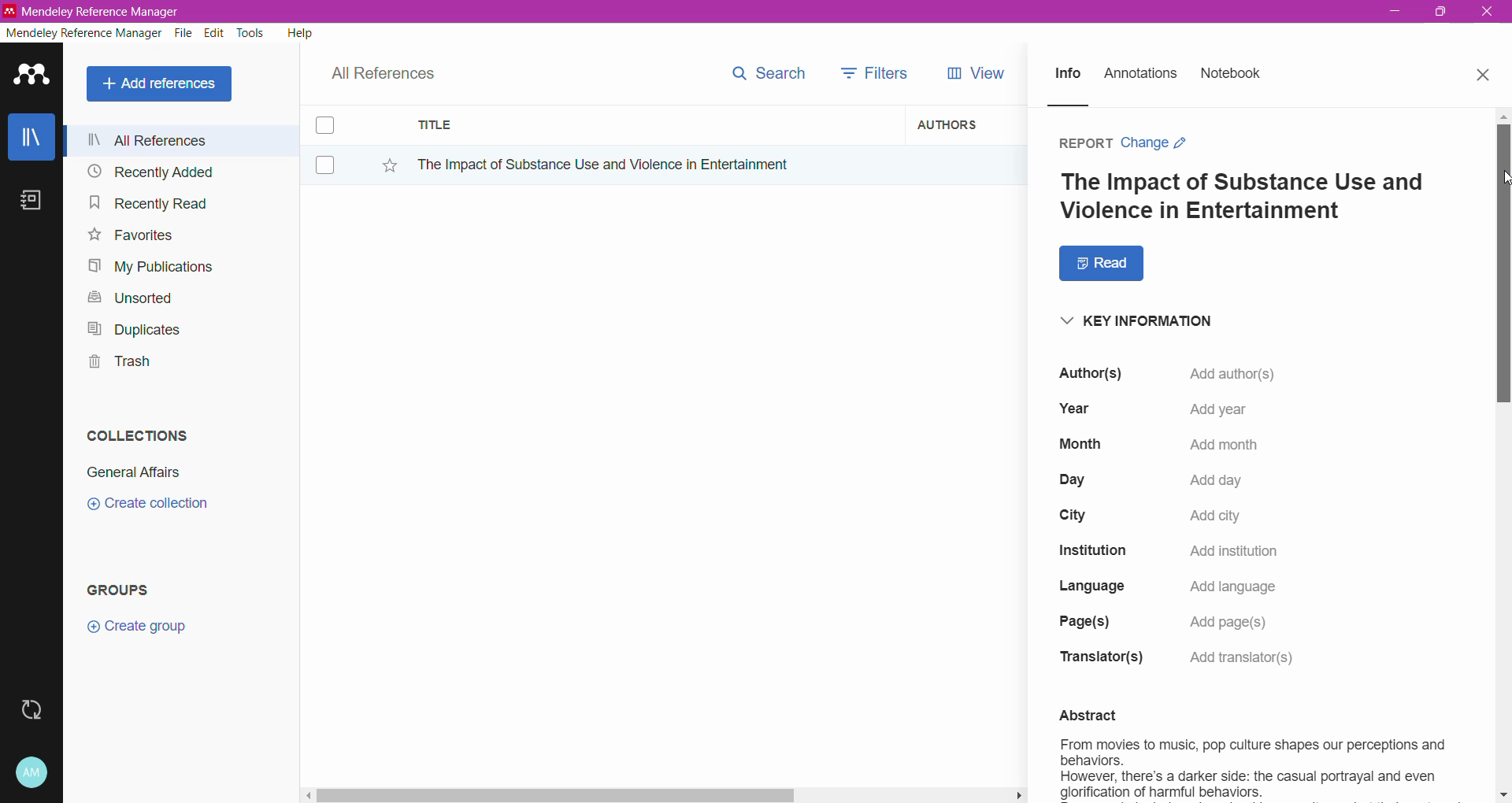 The width and height of the screenshot is (1512, 803). What do you see at coordinates (1167, 515) in the screenshot?
I see `city` at bounding box center [1167, 515].